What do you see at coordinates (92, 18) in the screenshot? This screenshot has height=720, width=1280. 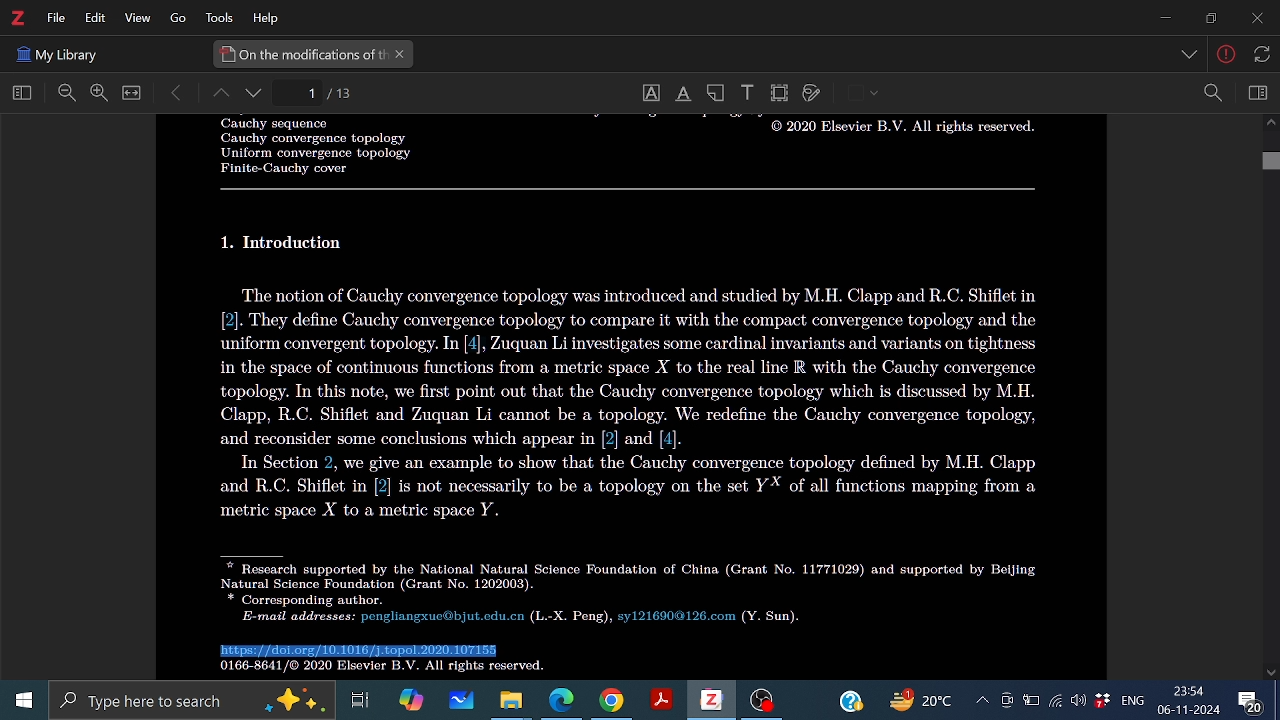 I see `Edit` at bounding box center [92, 18].